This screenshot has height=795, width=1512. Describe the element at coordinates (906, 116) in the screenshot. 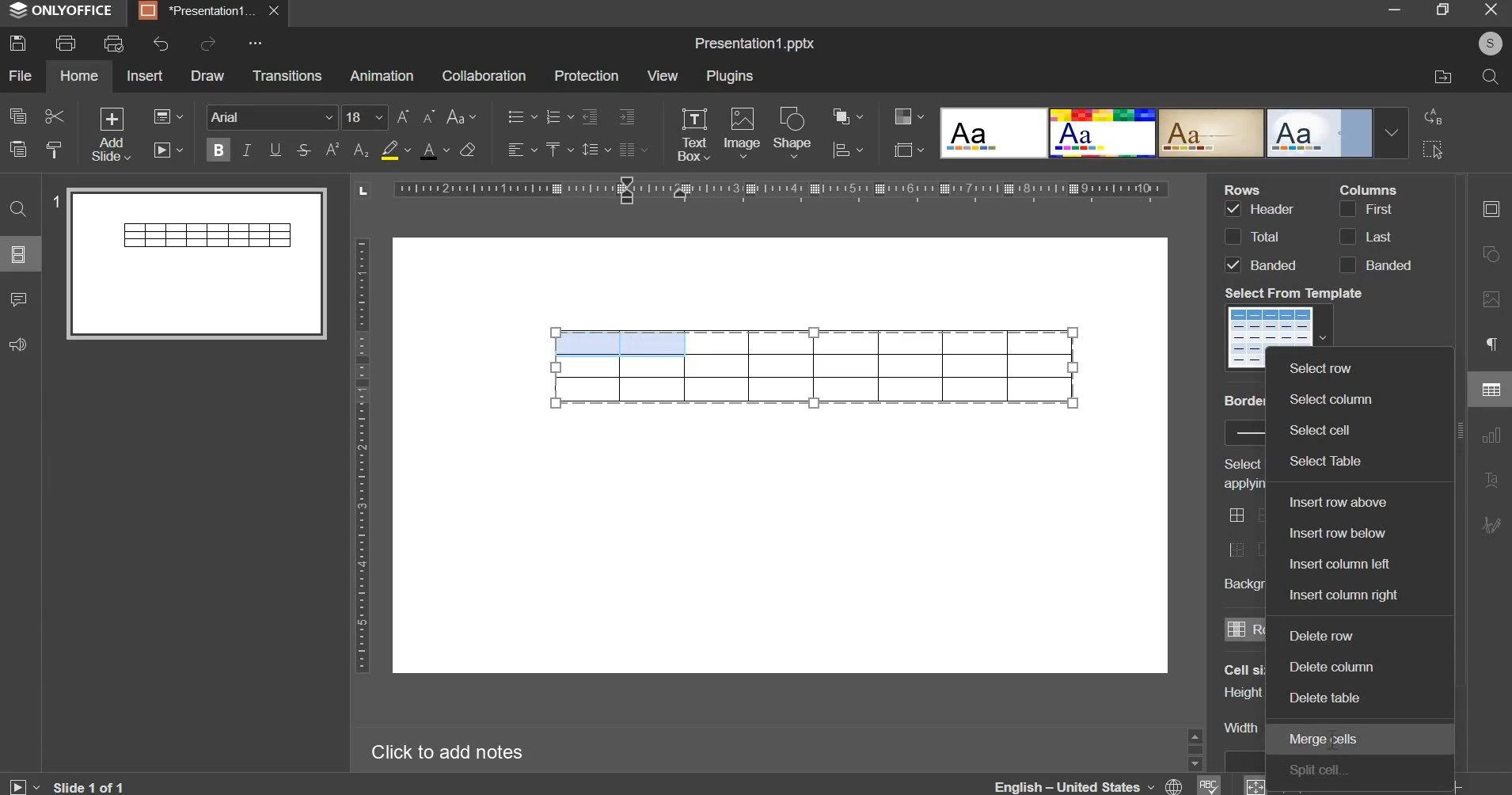

I see `design color` at that location.